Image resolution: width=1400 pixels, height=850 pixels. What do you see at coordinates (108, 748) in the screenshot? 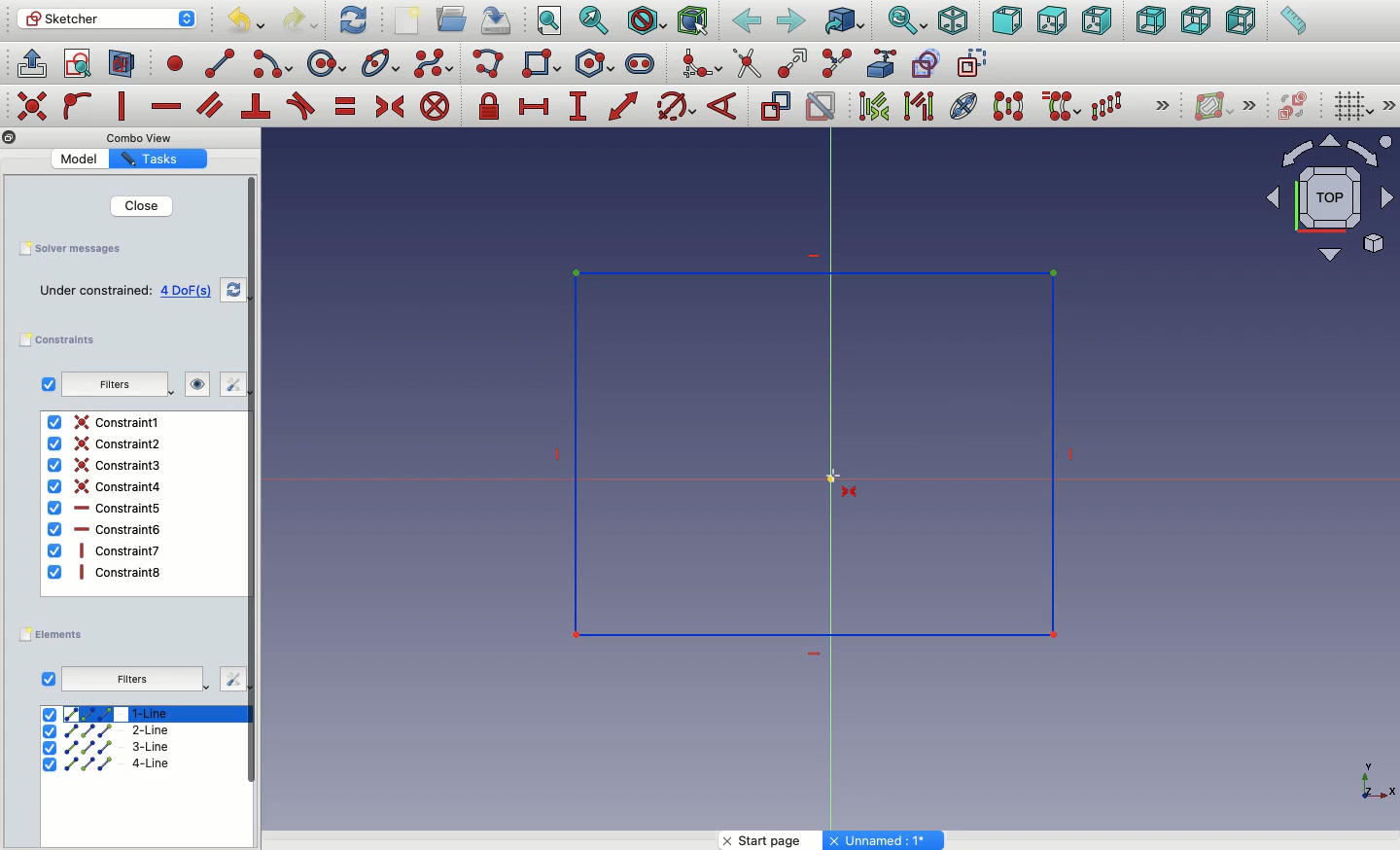
I see `3-line` at bounding box center [108, 748].